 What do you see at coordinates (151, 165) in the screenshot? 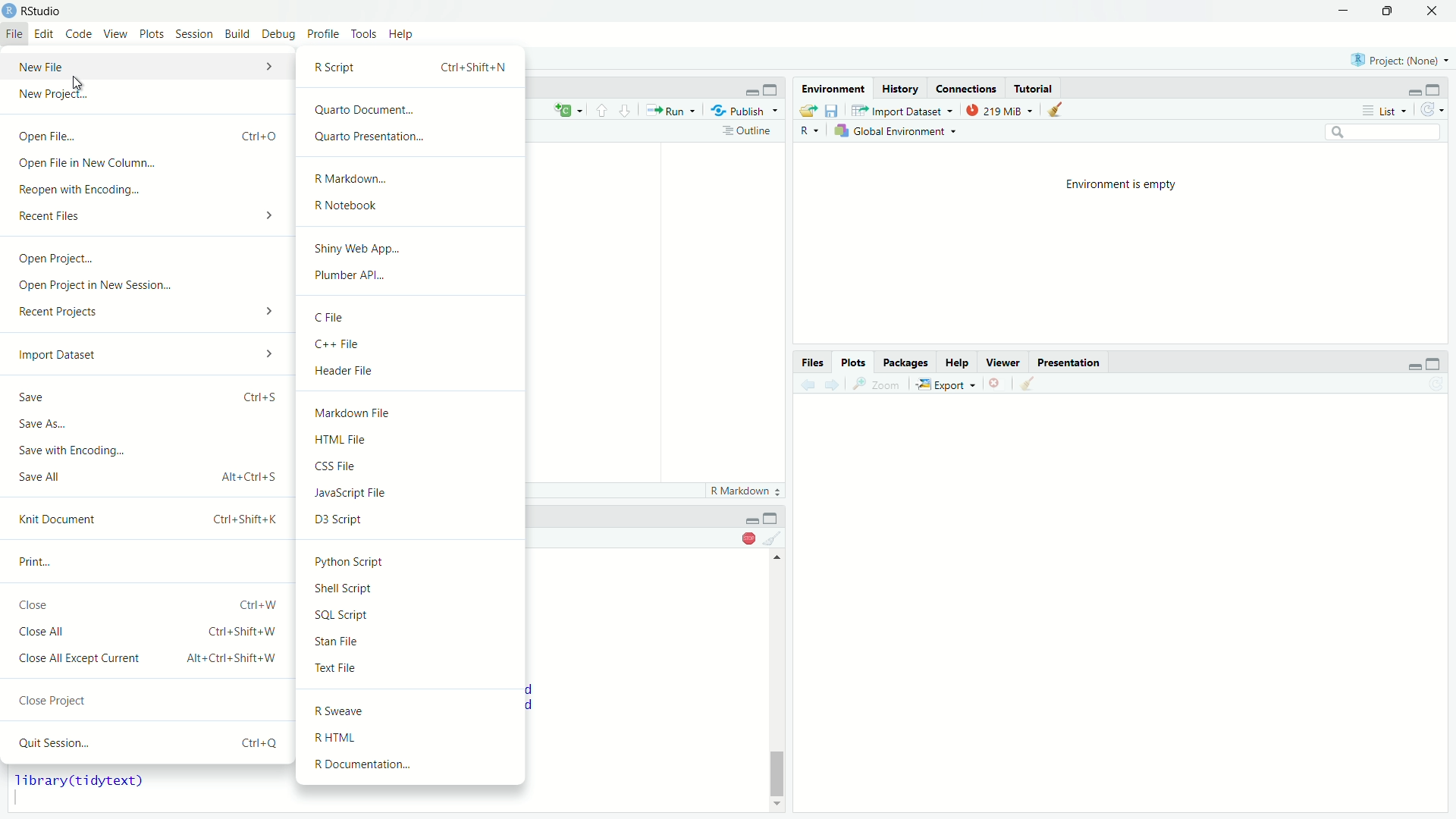
I see `Open File in New Column...` at bounding box center [151, 165].